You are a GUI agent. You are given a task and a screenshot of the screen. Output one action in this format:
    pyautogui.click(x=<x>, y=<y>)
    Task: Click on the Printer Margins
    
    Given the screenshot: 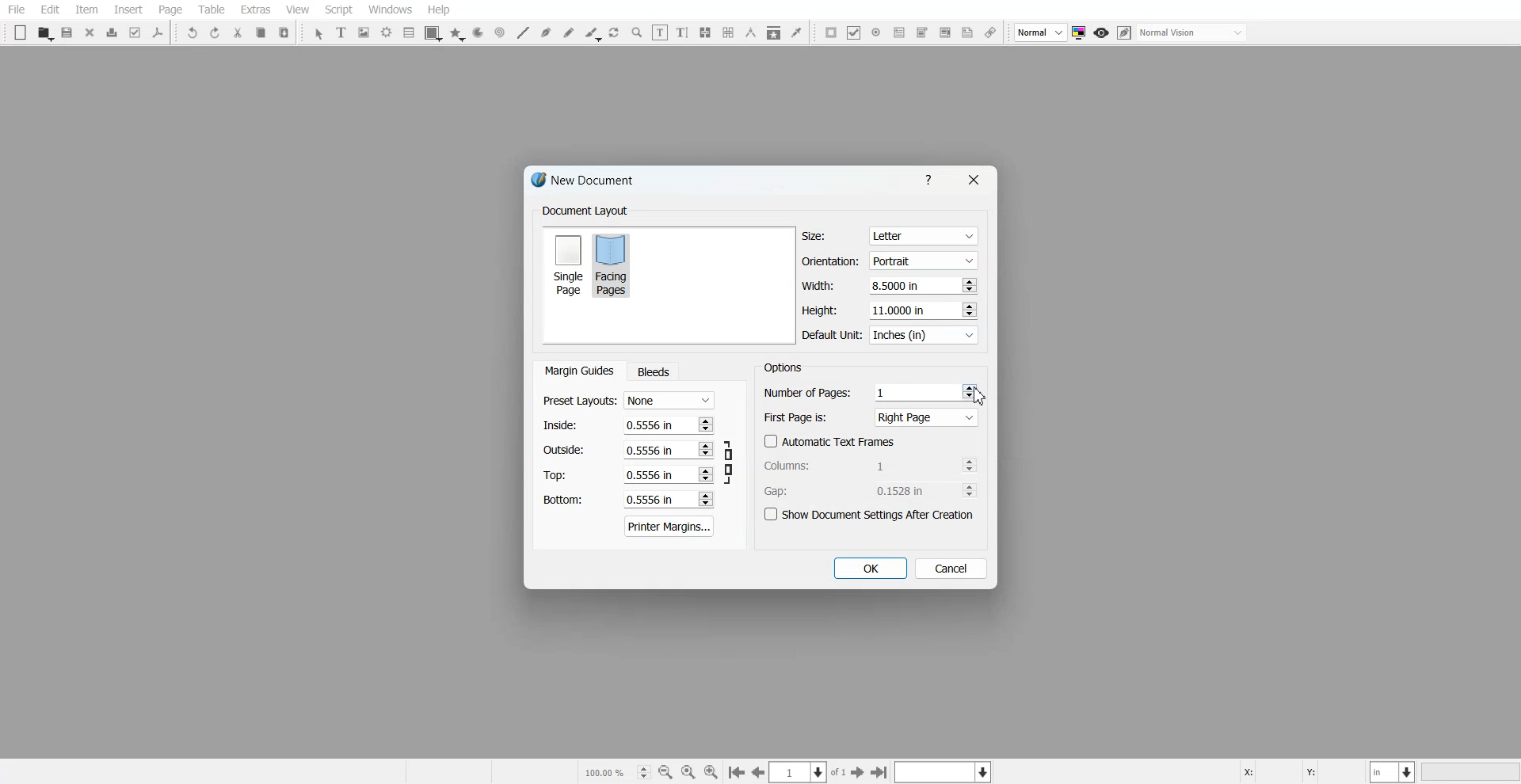 What is the action you would take?
    pyautogui.click(x=670, y=526)
    